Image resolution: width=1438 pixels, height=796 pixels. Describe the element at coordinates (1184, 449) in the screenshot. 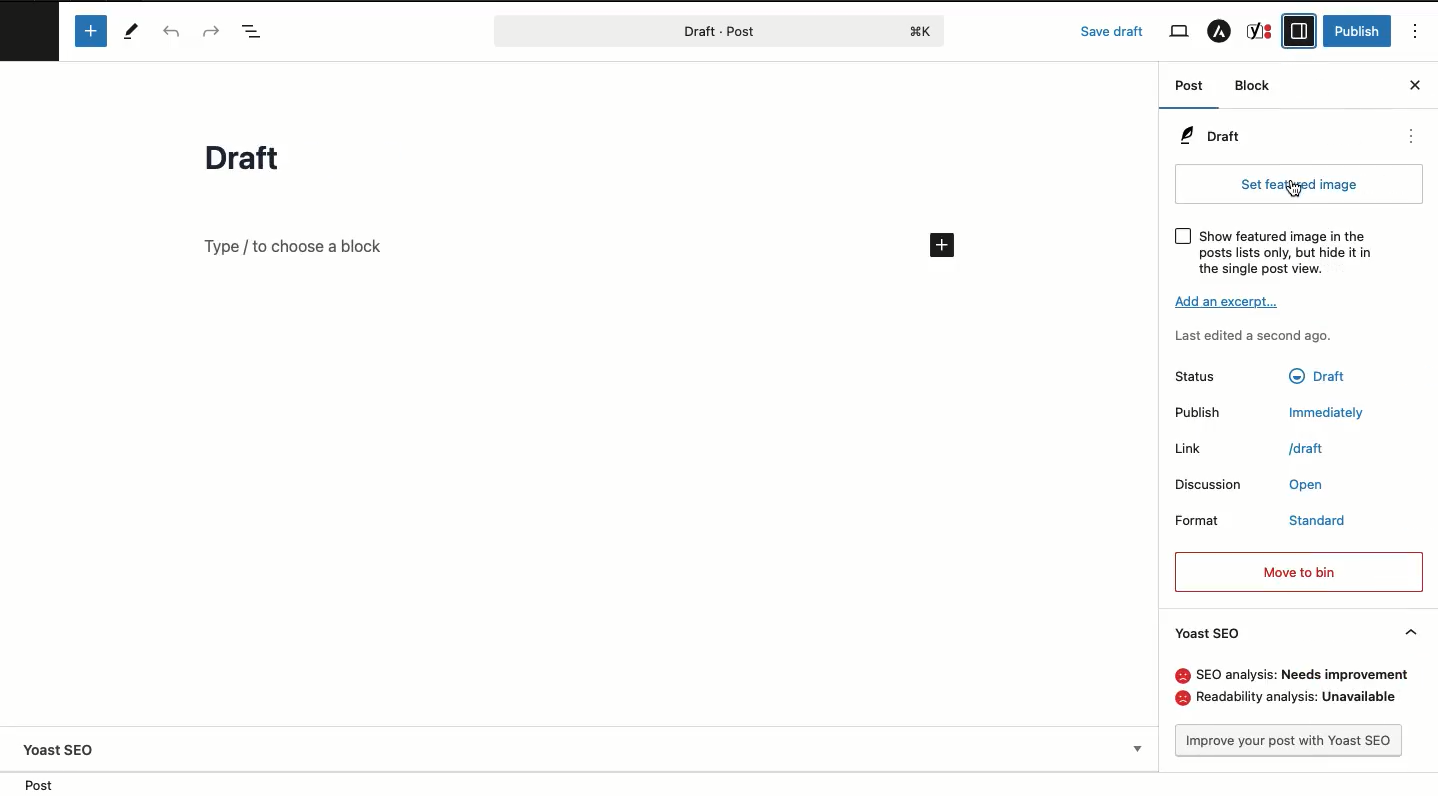

I see `Link` at that location.